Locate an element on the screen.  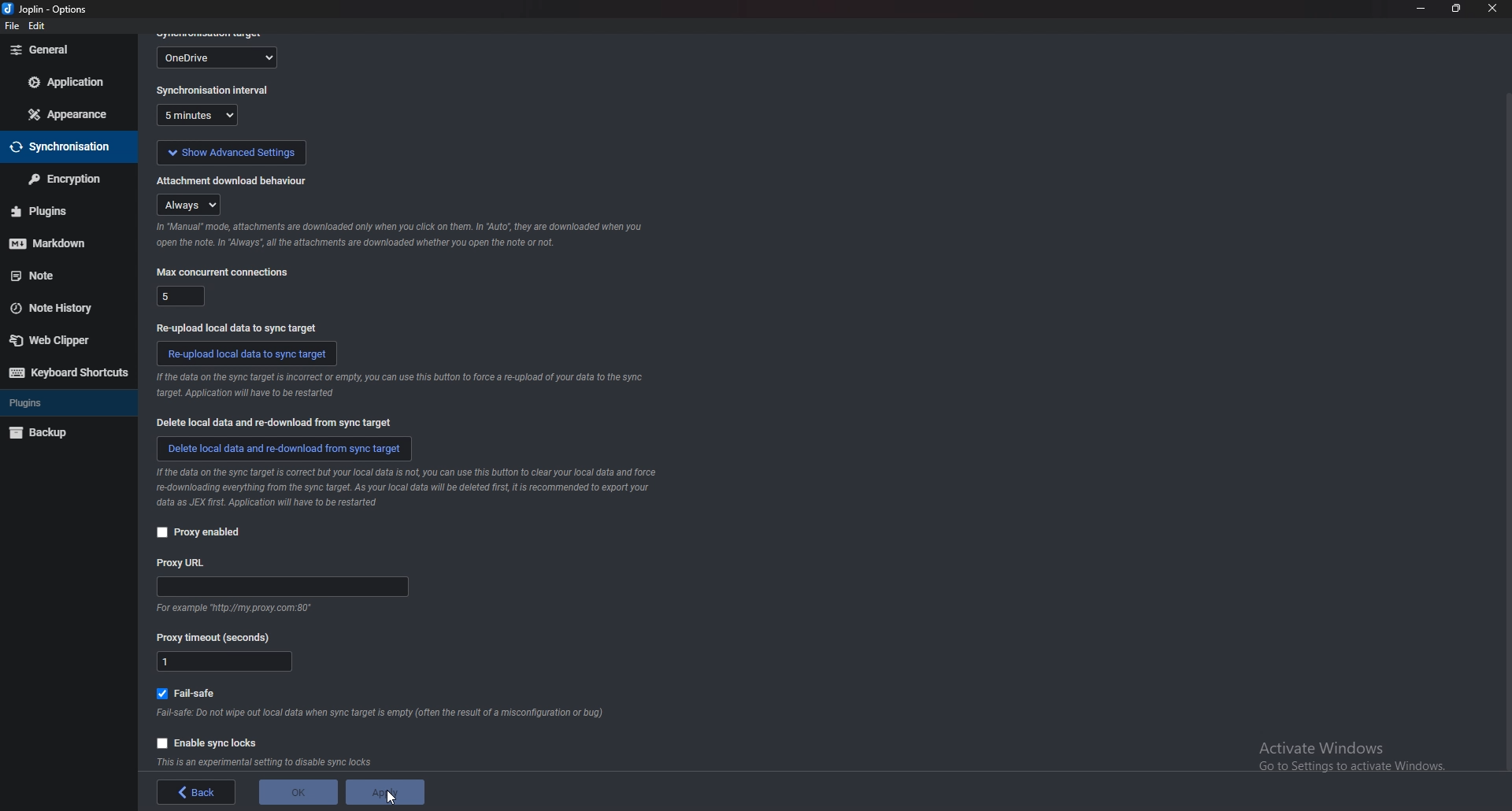
ok is located at coordinates (296, 791).